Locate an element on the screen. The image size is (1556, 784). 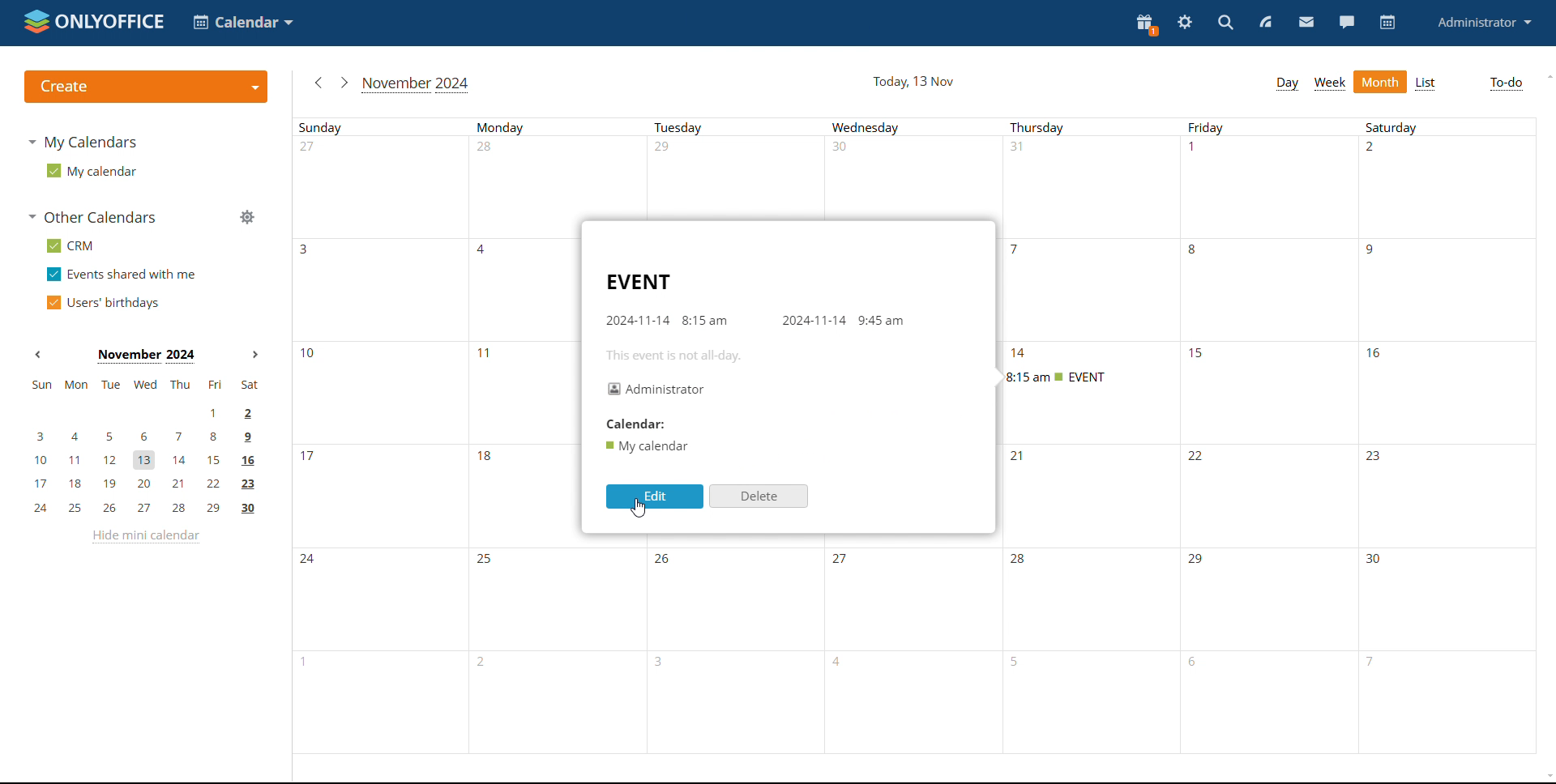
next month is located at coordinates (344, 83).